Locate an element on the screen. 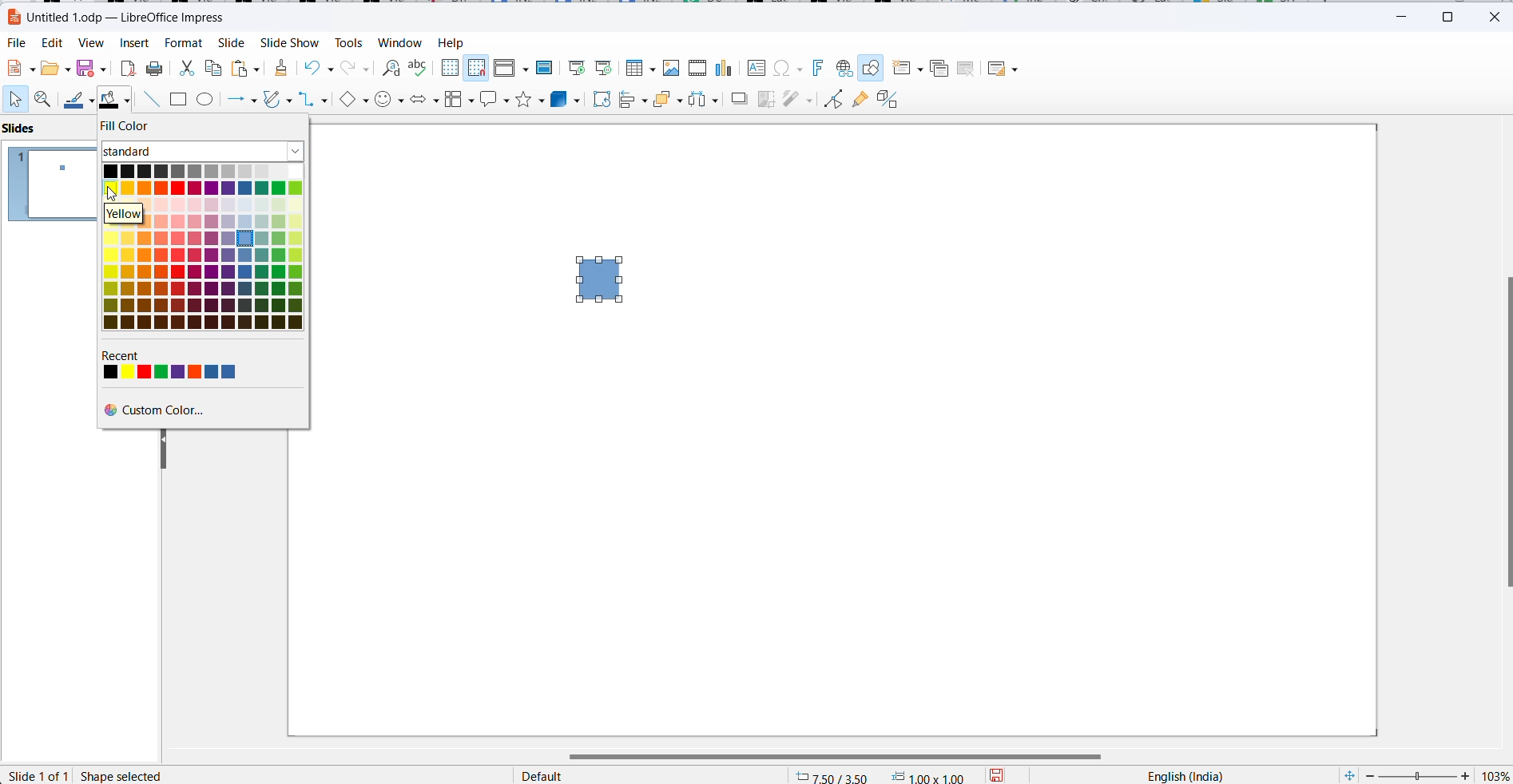 The image size is (1513, 784). page style is located at coordinates (645, 774).